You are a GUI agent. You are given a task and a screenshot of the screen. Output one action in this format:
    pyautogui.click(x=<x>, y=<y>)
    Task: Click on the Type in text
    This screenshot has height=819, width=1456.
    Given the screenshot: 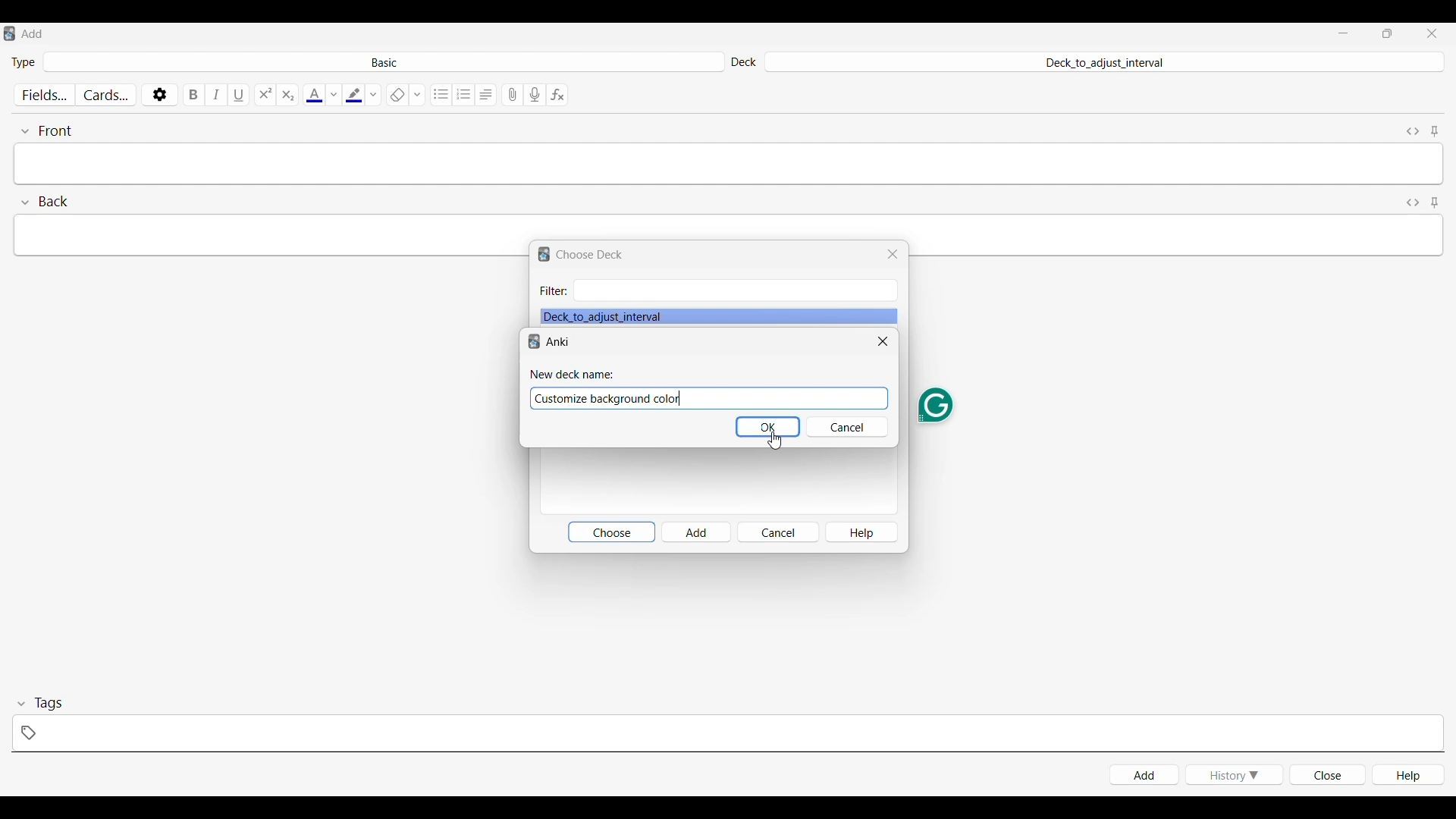 What is the action you would take?
    pyautogui.click(x=726, y=226)
    